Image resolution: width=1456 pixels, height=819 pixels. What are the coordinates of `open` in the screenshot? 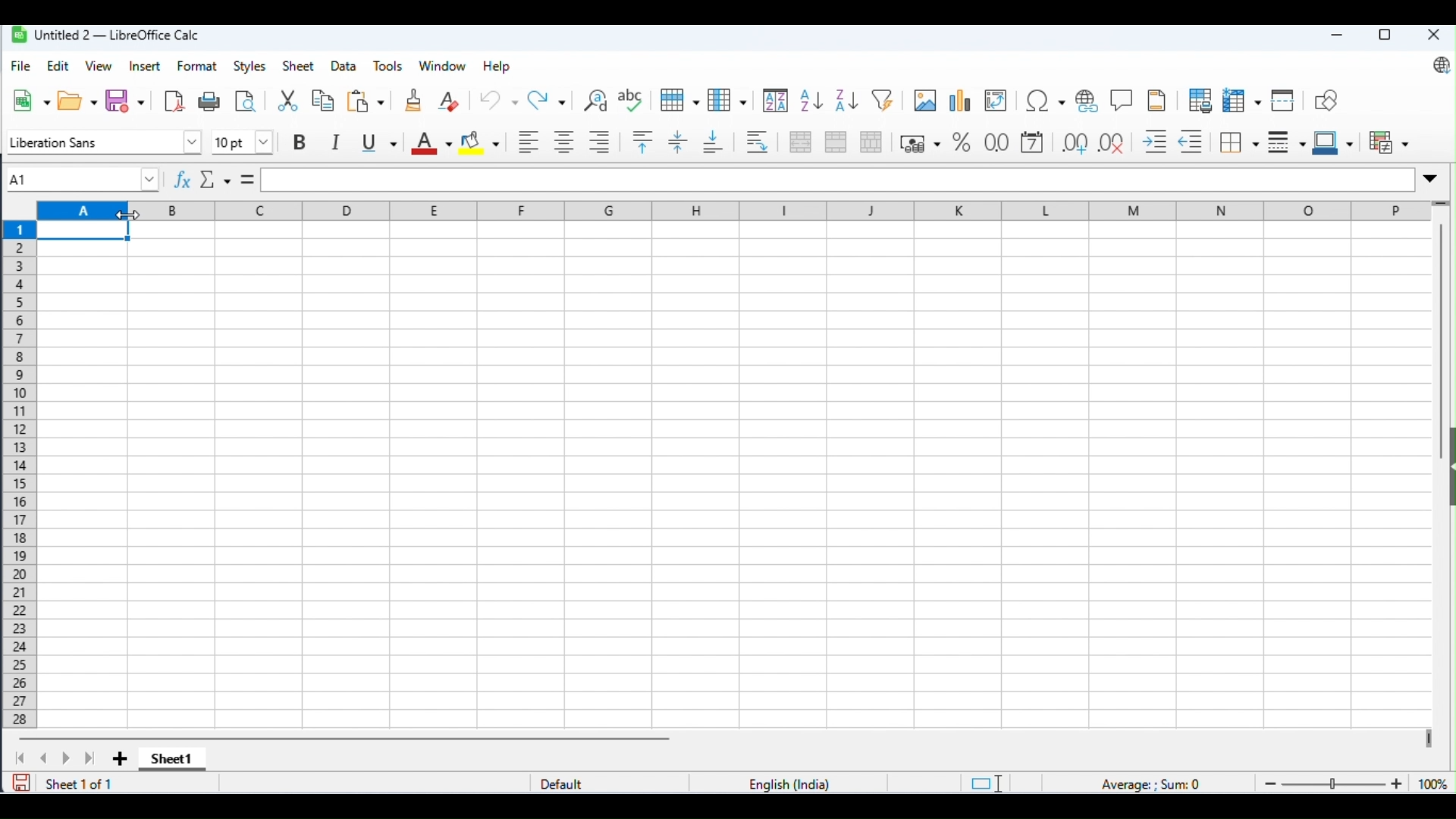 It's located at (78, 99).